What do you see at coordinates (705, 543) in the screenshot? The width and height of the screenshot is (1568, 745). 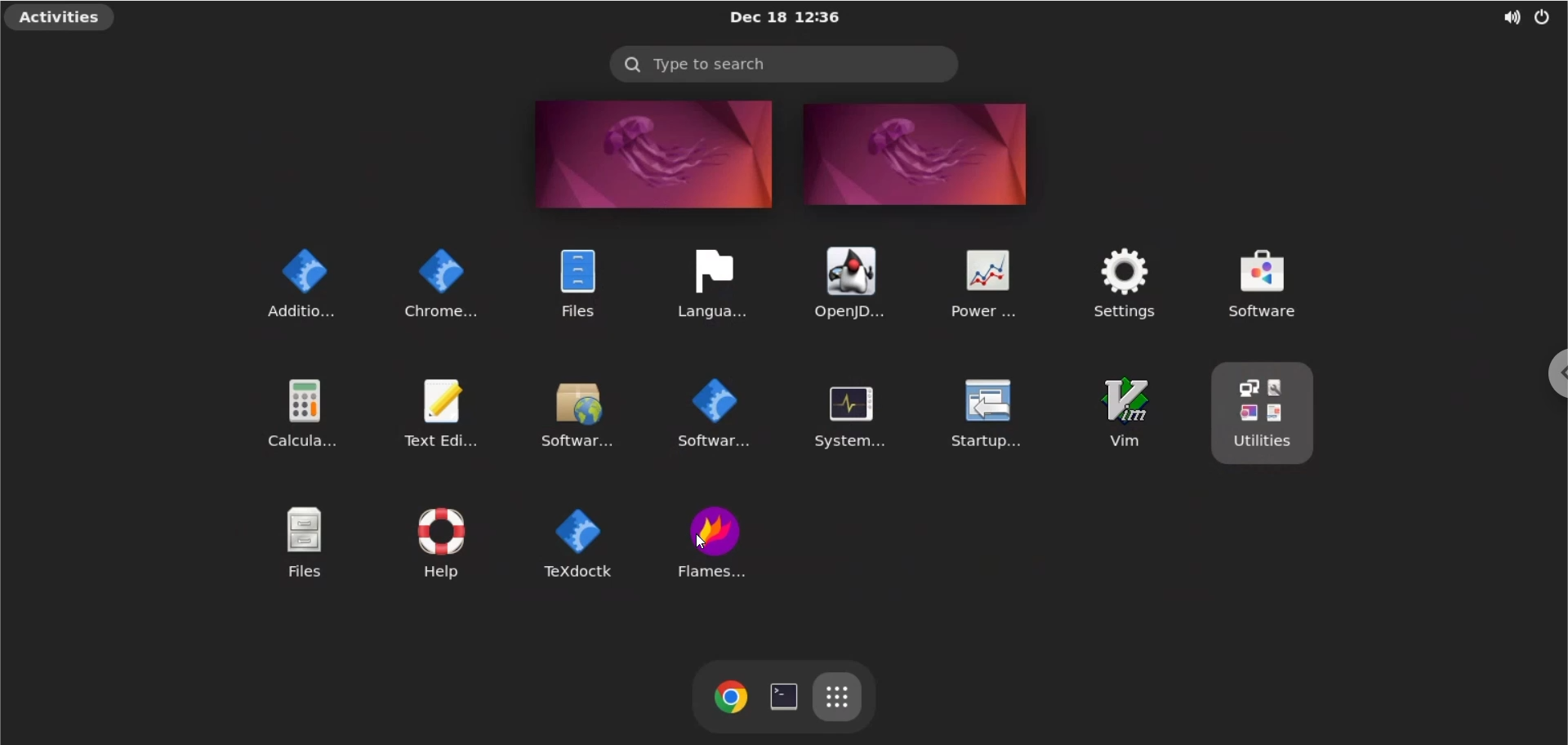 I see `cursor` at bounding box center [705, 543].